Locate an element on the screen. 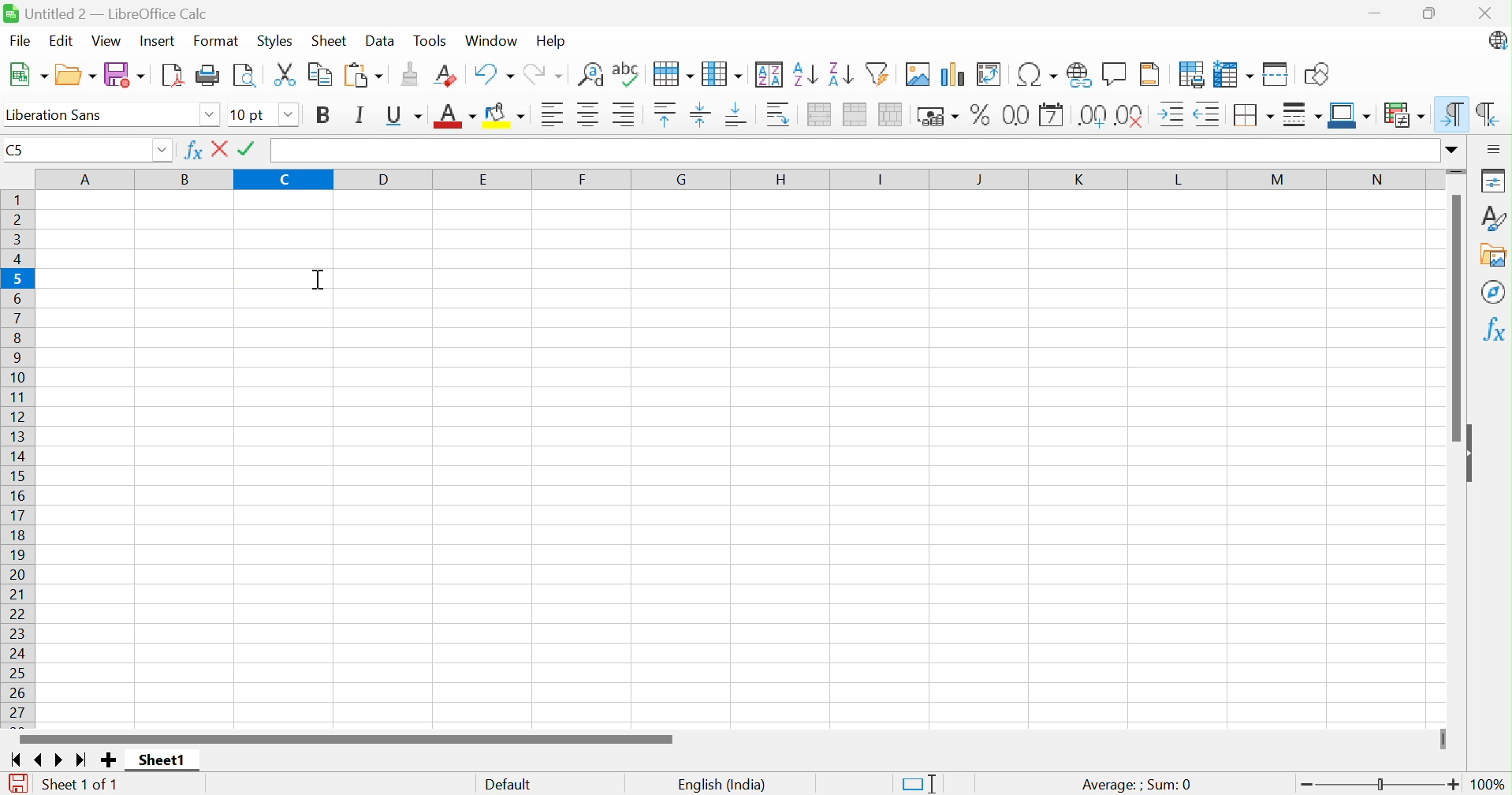 The height and width of the screenshot is (795, 1512). Zoom in is located at coordinates (1456, 785).